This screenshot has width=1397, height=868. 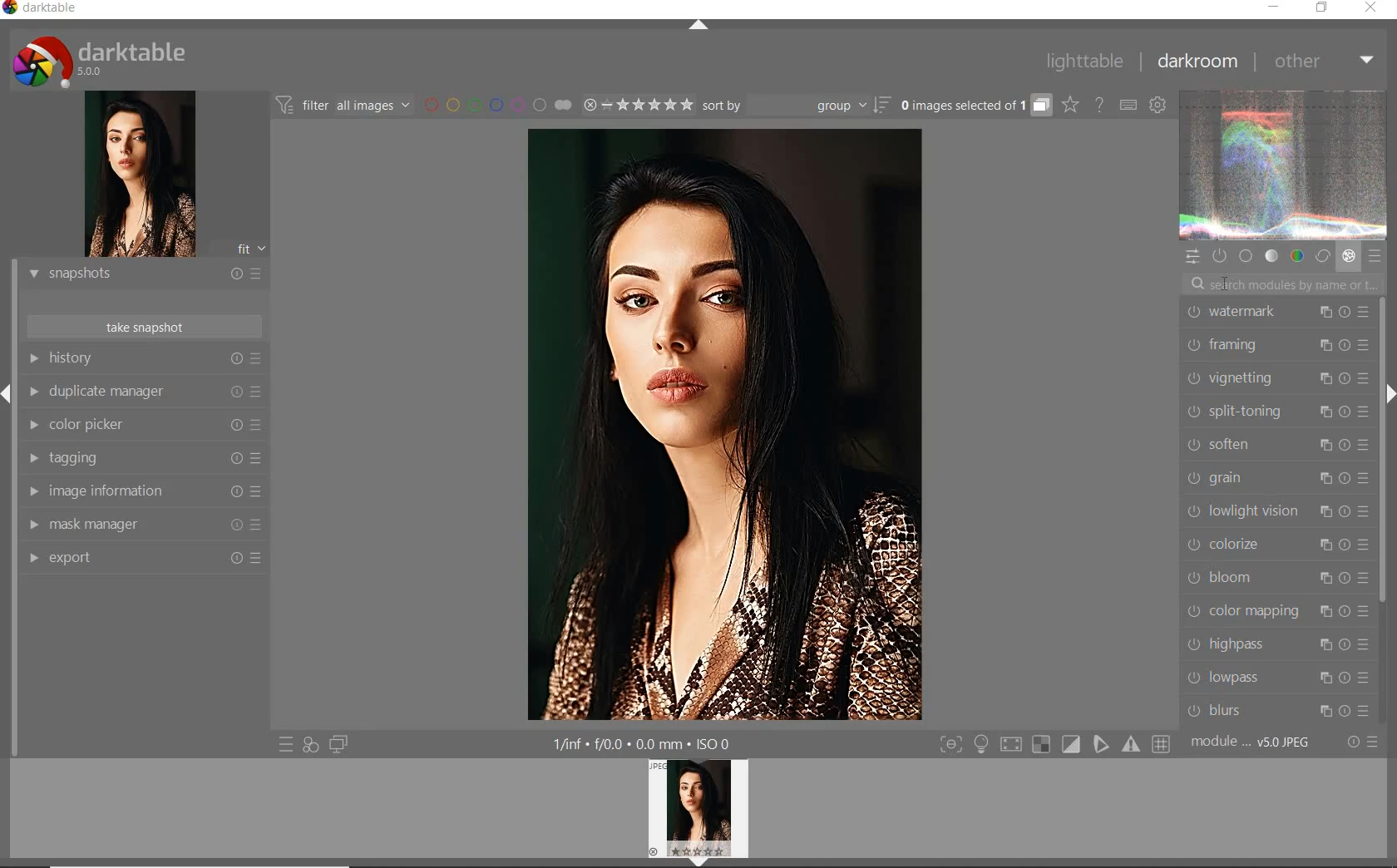 I want to click on MAASK MANAGER, so click(x=143, y=525).